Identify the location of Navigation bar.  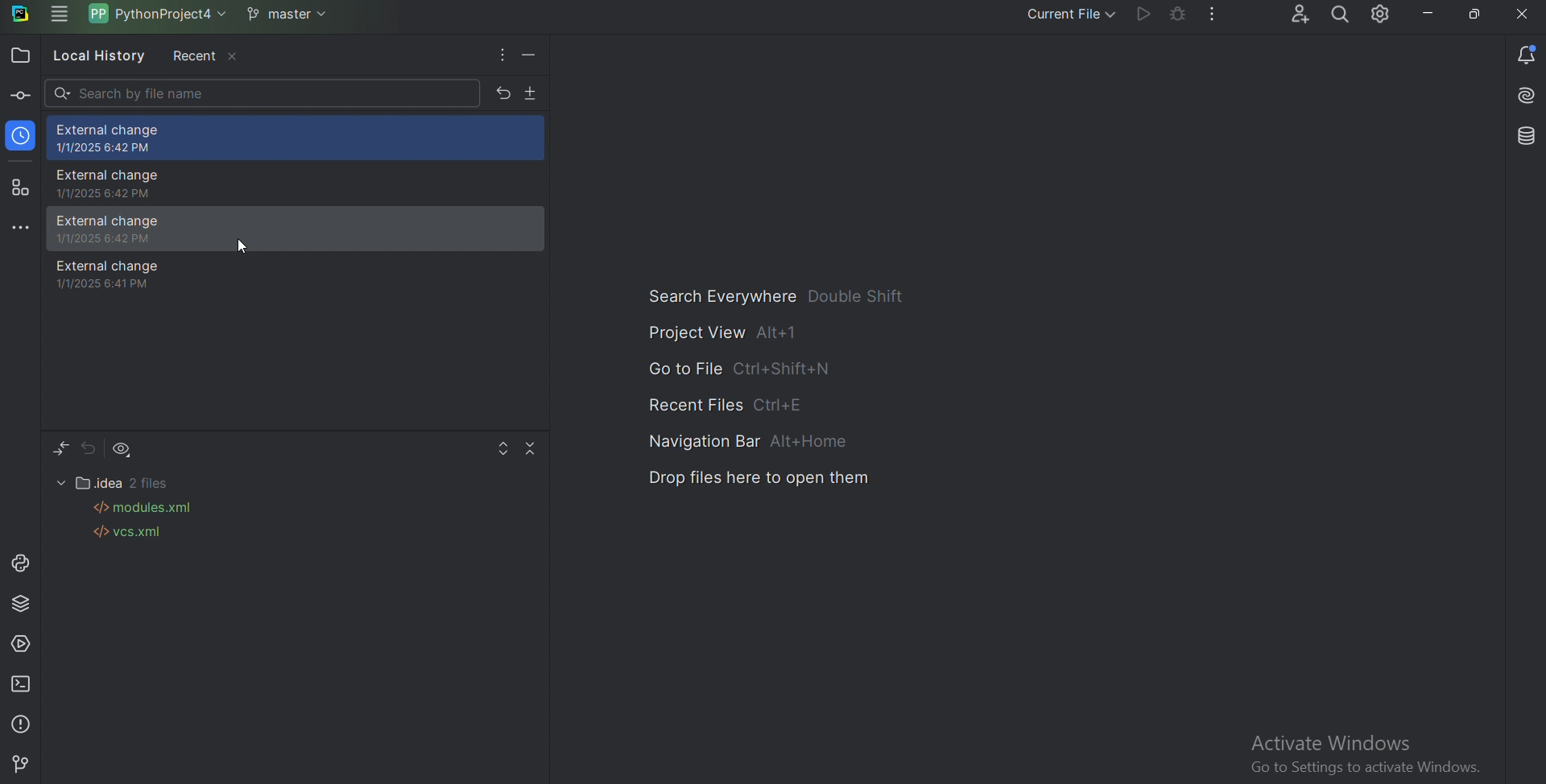
(742, 438).